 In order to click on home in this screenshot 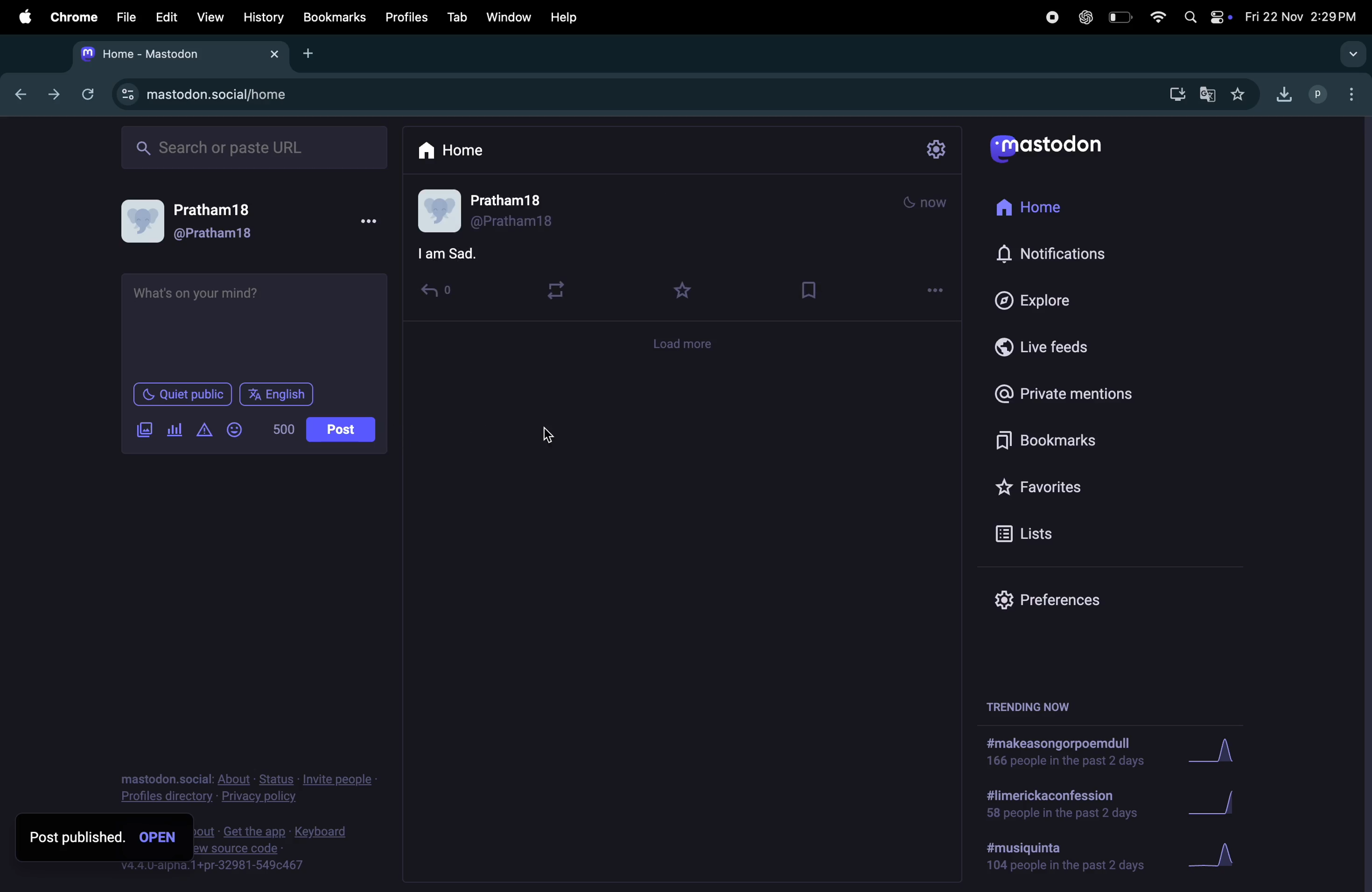, I will do `click(1048, 205)`.